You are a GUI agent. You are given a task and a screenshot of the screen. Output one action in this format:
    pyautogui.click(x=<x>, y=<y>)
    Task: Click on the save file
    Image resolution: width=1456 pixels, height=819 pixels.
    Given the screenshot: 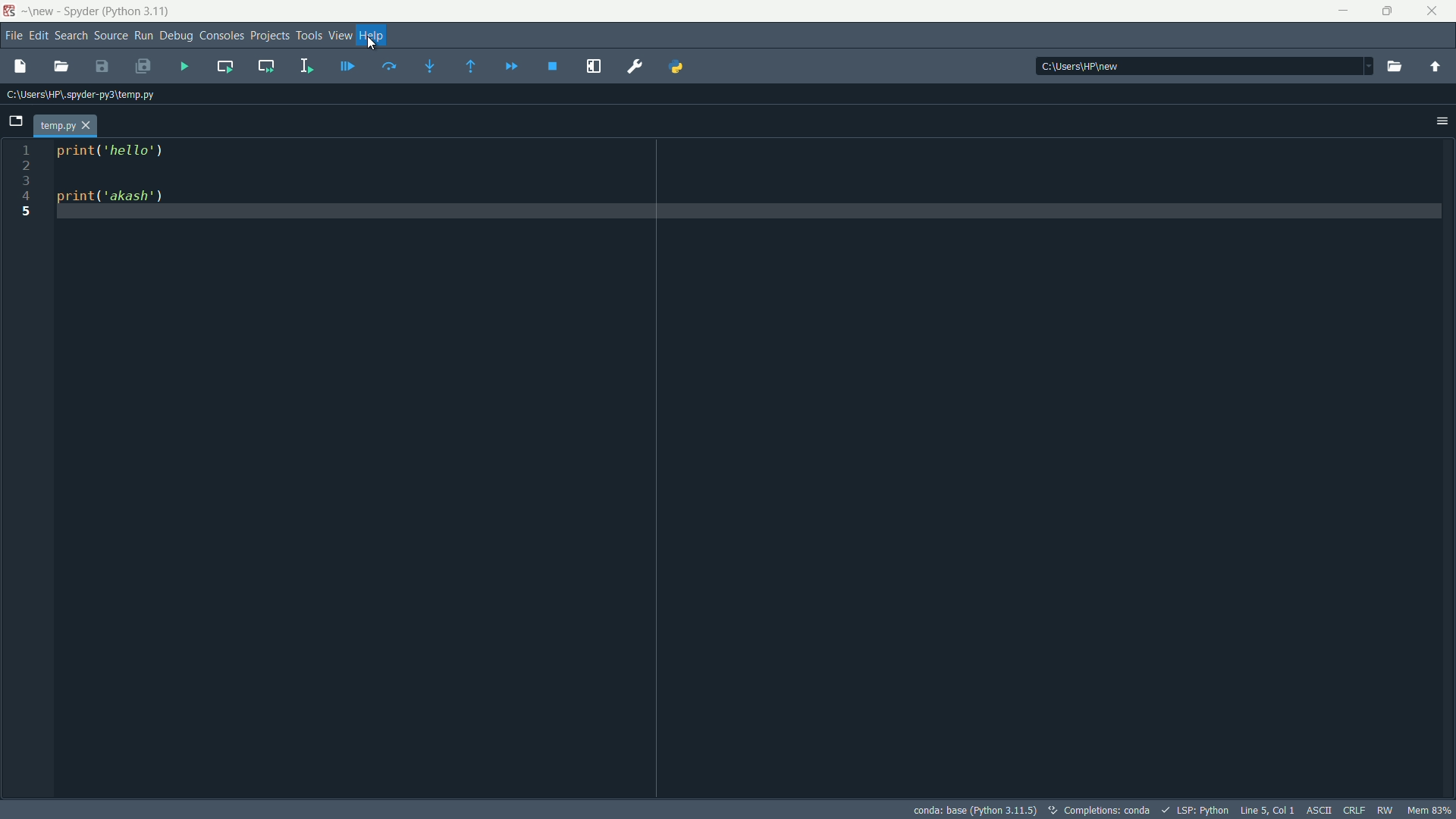 What is the action you would take?
    pyautogui.click(x=102, y=67)
    